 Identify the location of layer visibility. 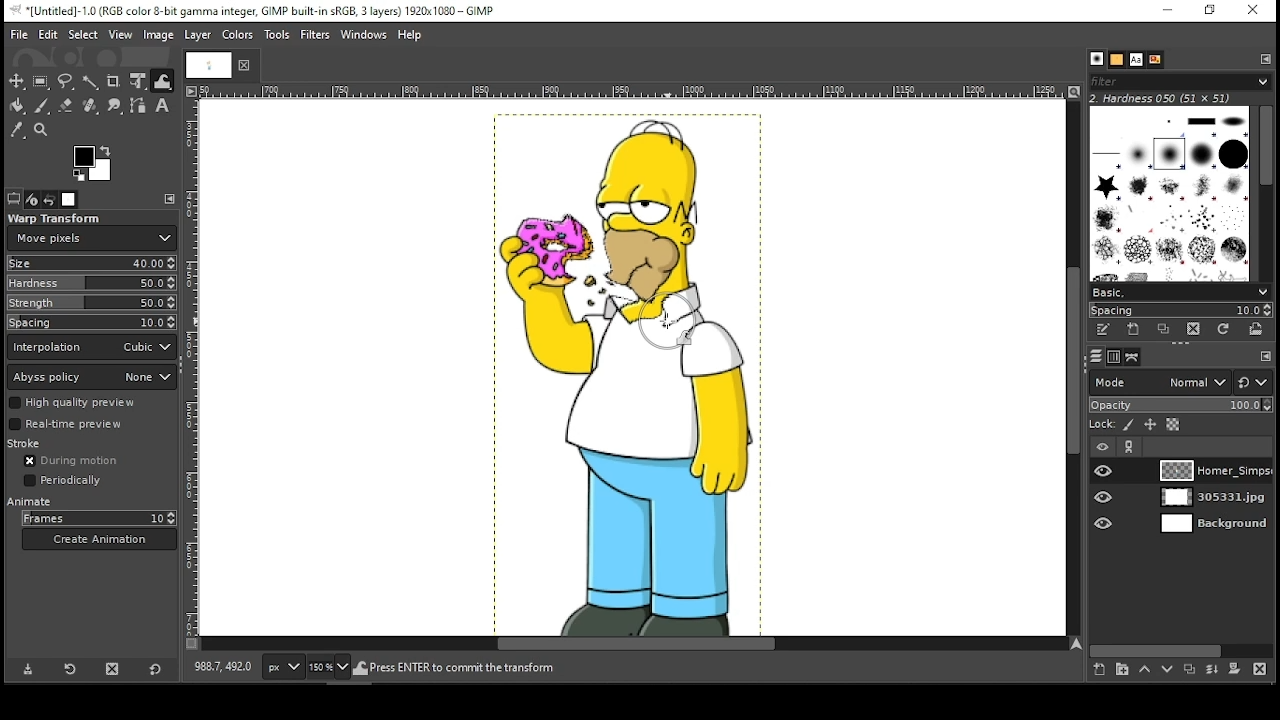
(1101, 446).